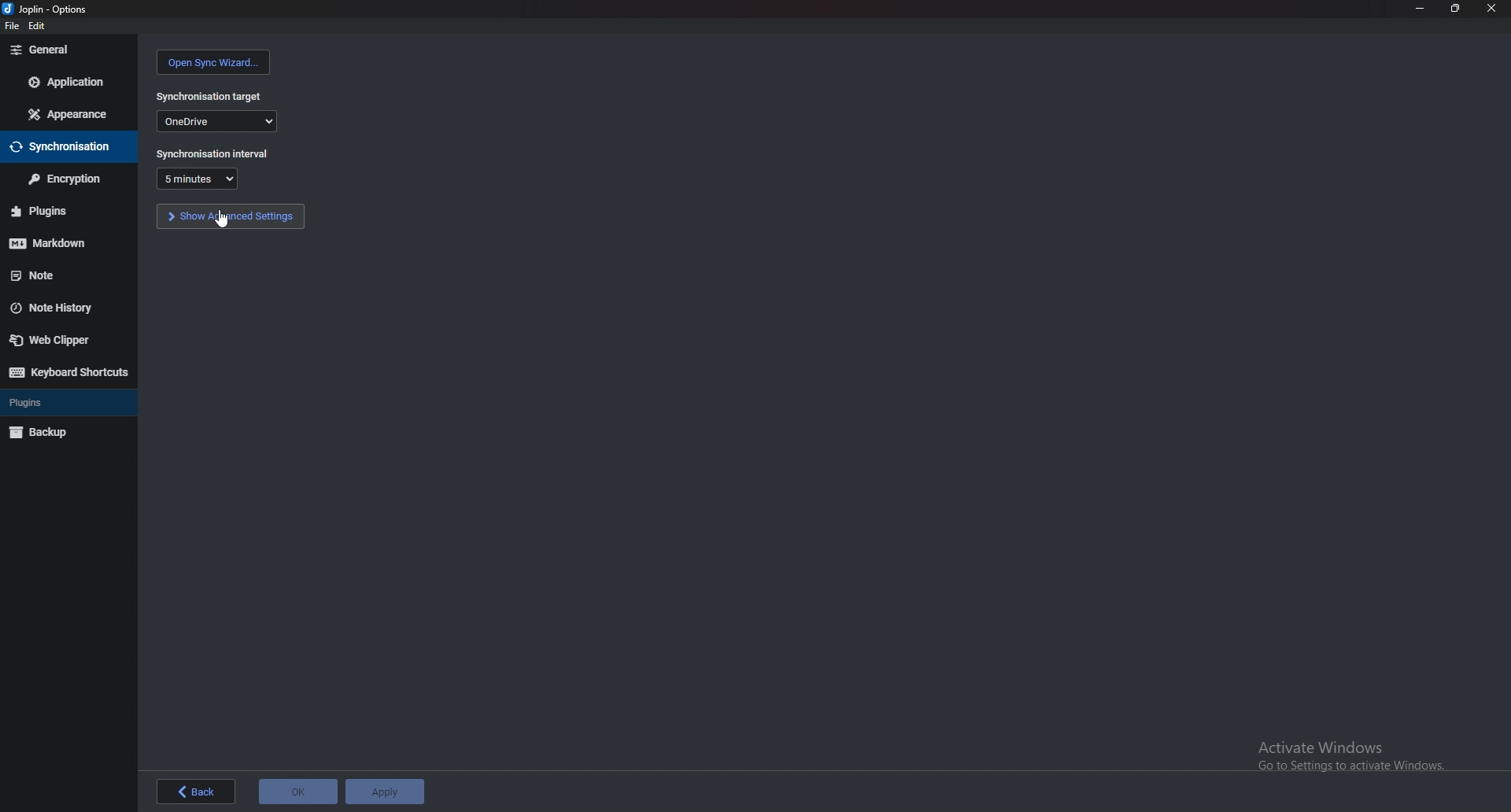 The width and height of the screenshot is (1511, 812). I want to click on web clipper, so click(62, 340).